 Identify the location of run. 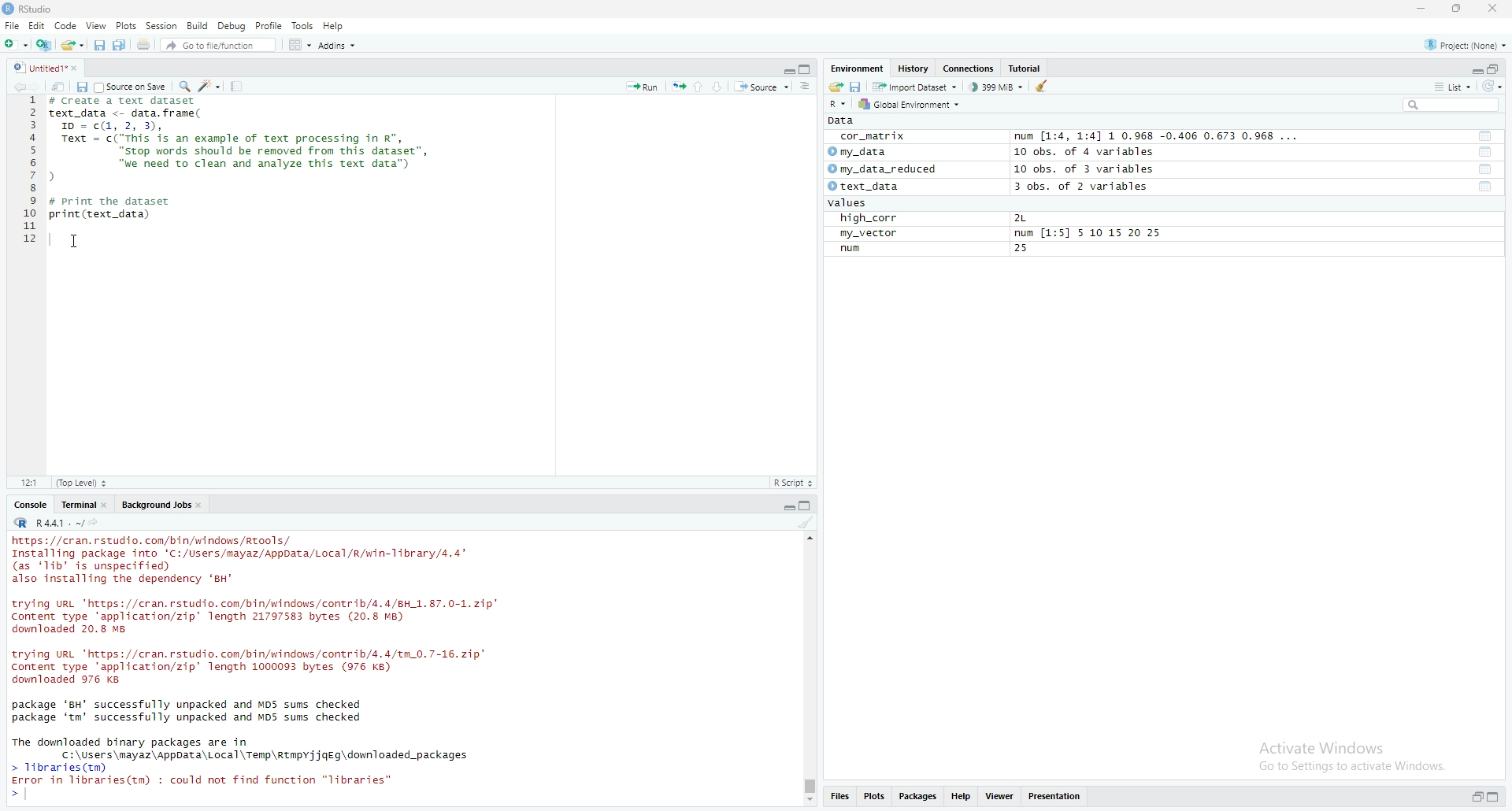
(642, 87).